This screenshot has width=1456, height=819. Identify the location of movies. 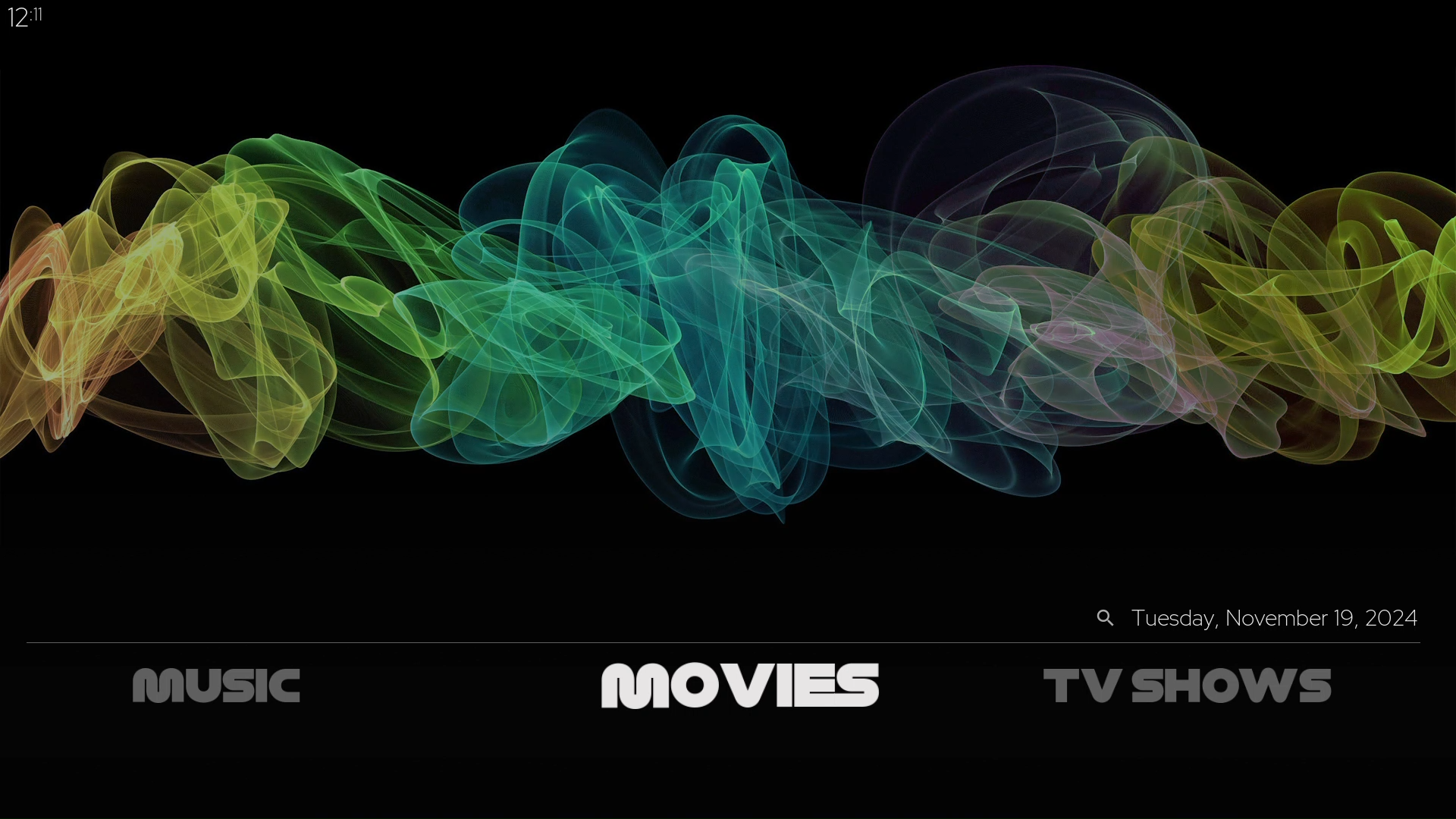
(736, 686).